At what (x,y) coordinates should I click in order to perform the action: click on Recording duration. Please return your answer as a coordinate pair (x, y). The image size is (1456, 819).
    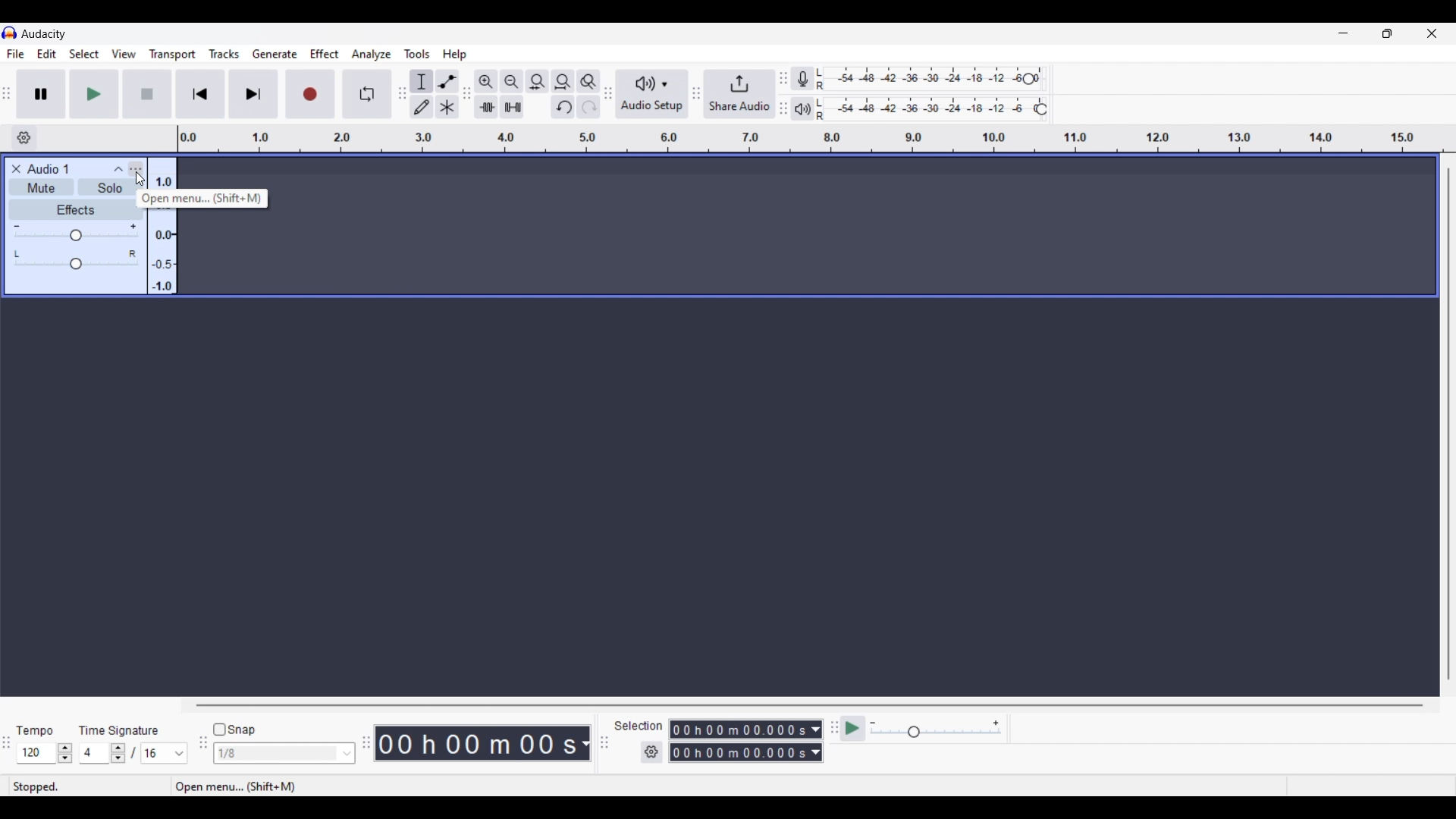
    Looking at the image, I should click on (737, 741).